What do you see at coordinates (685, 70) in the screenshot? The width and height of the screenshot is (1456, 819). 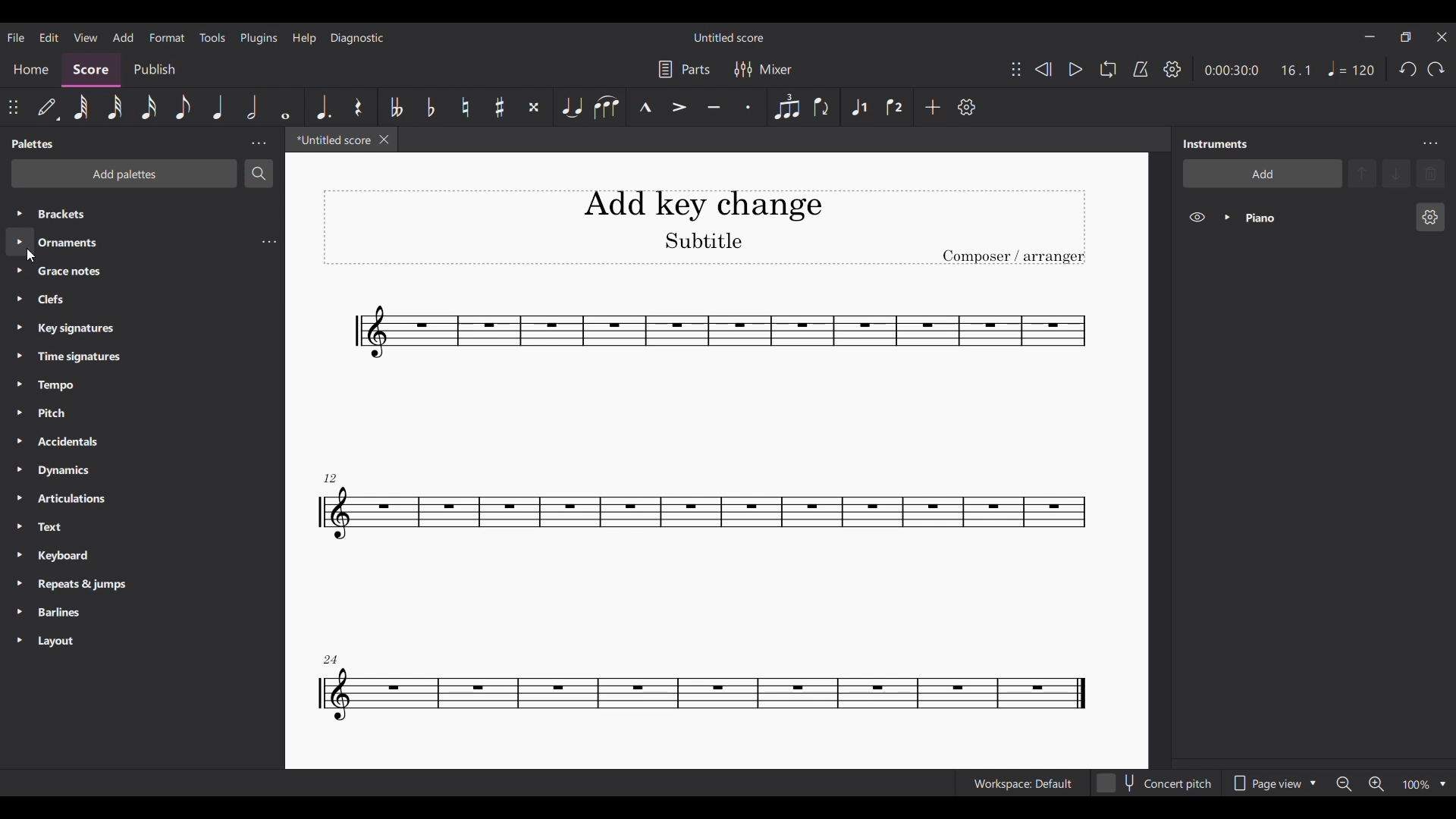 I see `Manage parts` at bounding box center [685, 70].